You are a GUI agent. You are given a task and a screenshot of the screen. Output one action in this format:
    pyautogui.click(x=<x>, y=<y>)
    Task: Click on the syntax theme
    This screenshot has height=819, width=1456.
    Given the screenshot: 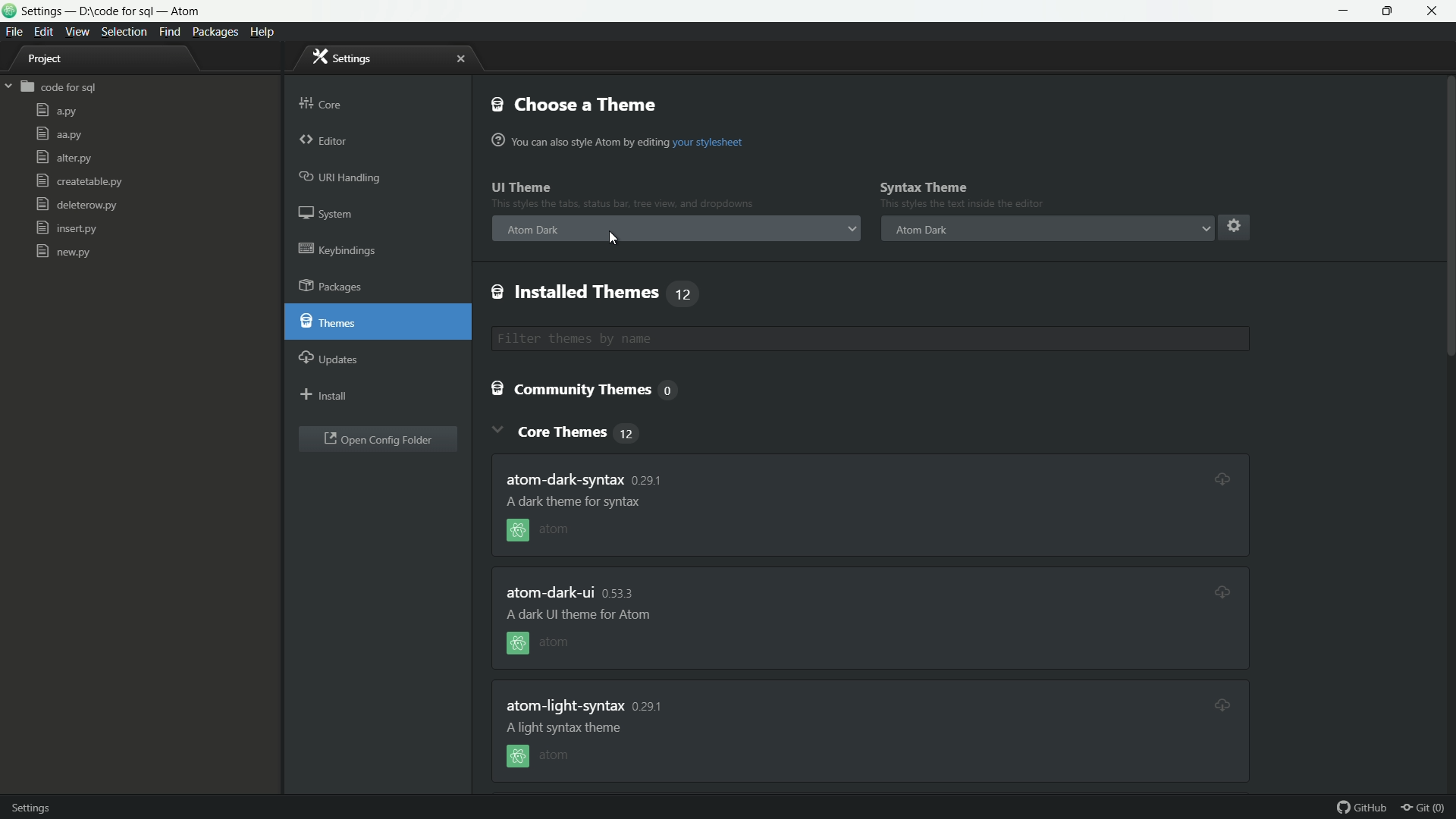 What is the action you would take?
    pyautogui.click(x=924, y=187)
    